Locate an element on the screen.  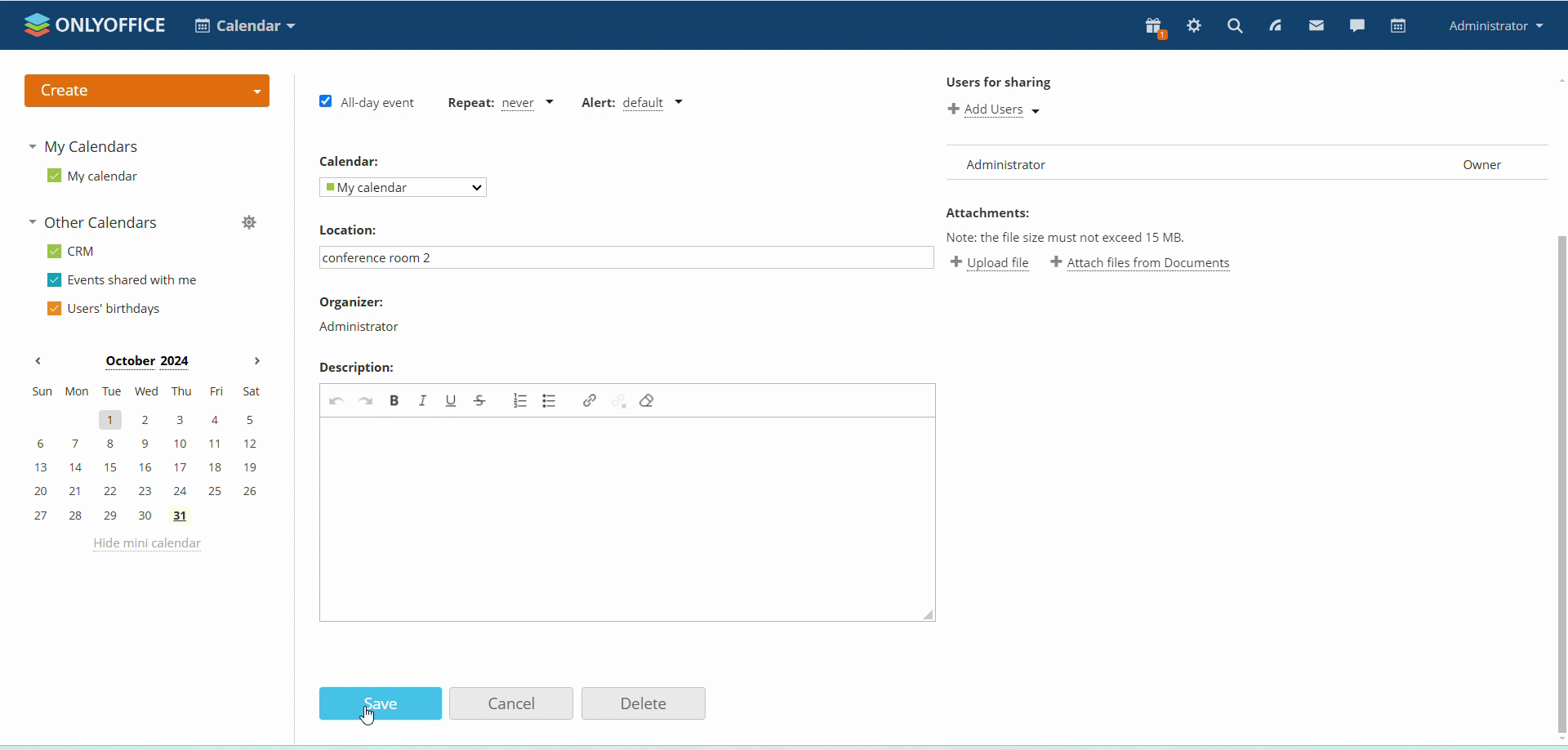
scroll down is located at coordinates (1558, 743).